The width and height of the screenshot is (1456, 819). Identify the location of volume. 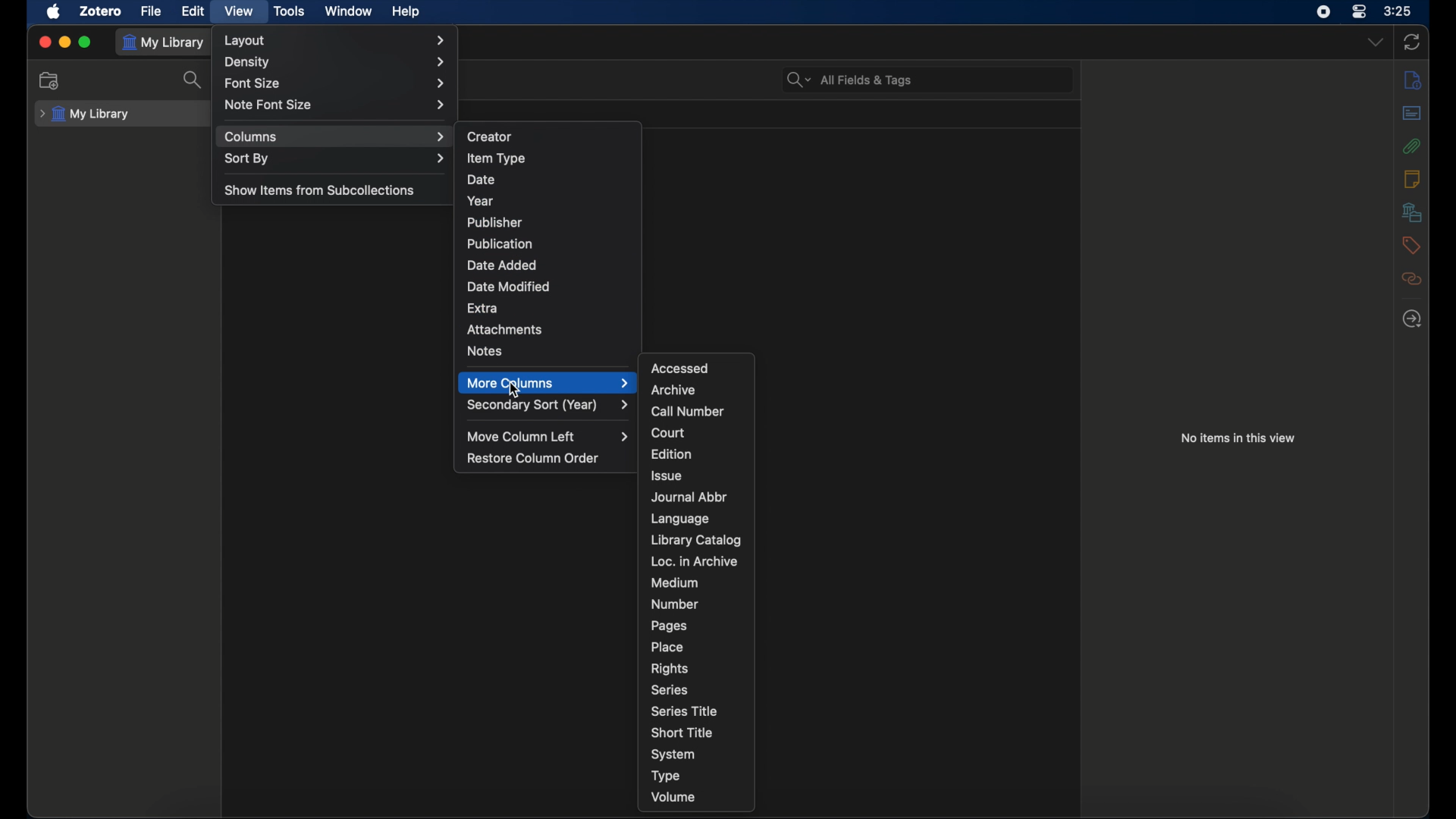
(673, 796).